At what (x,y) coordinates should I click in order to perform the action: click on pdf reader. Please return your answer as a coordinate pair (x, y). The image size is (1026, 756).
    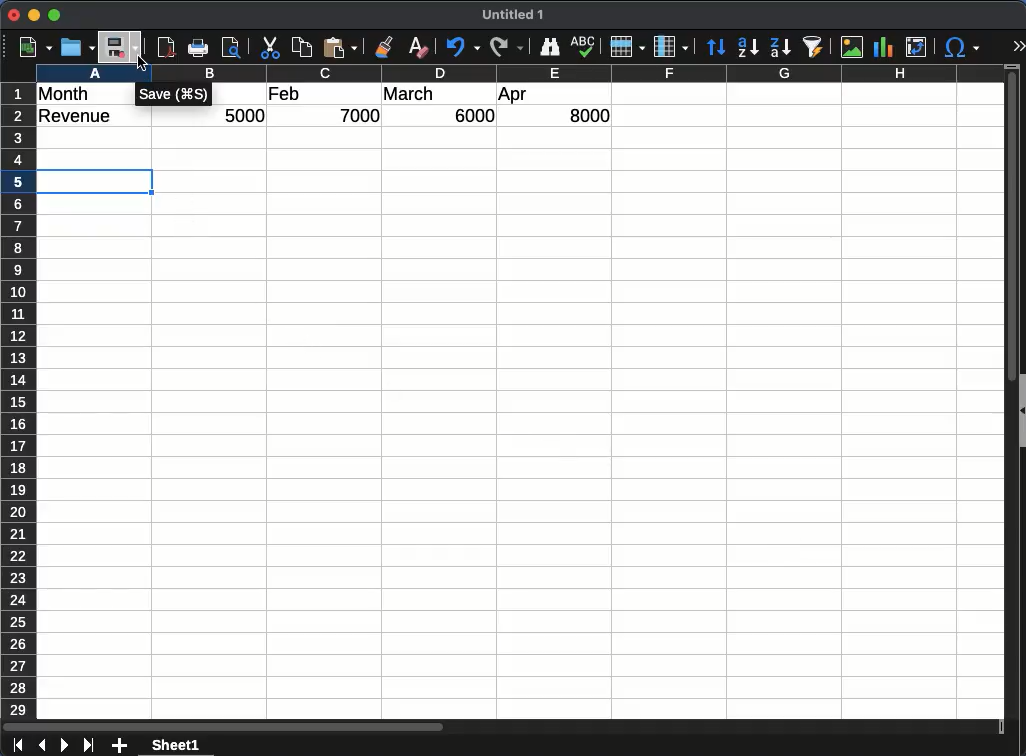
    Looking at the image, I should click on (166, 48).